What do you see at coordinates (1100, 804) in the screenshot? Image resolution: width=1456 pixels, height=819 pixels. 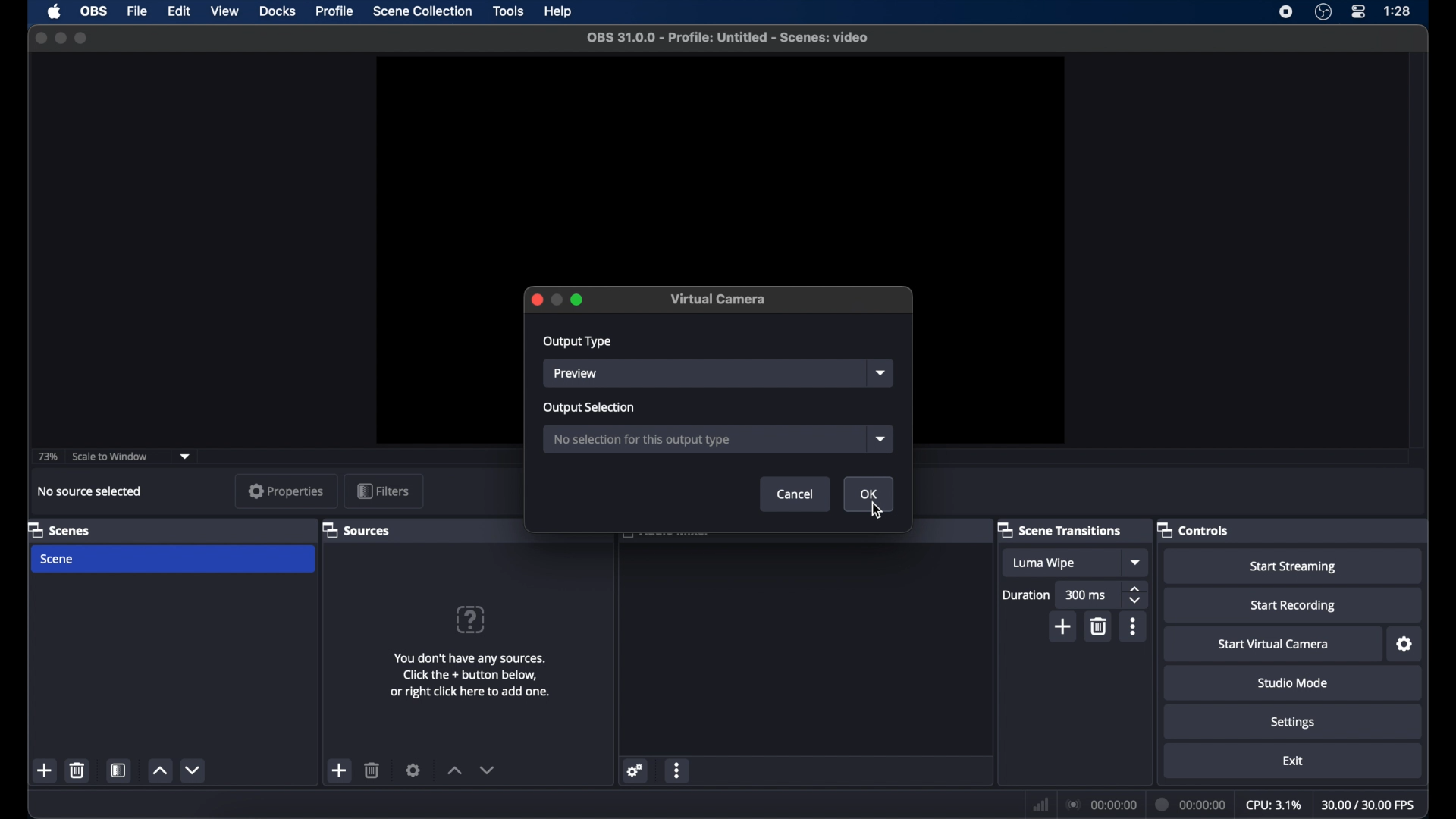 I see `connection` at bounding box center [1100, 804].